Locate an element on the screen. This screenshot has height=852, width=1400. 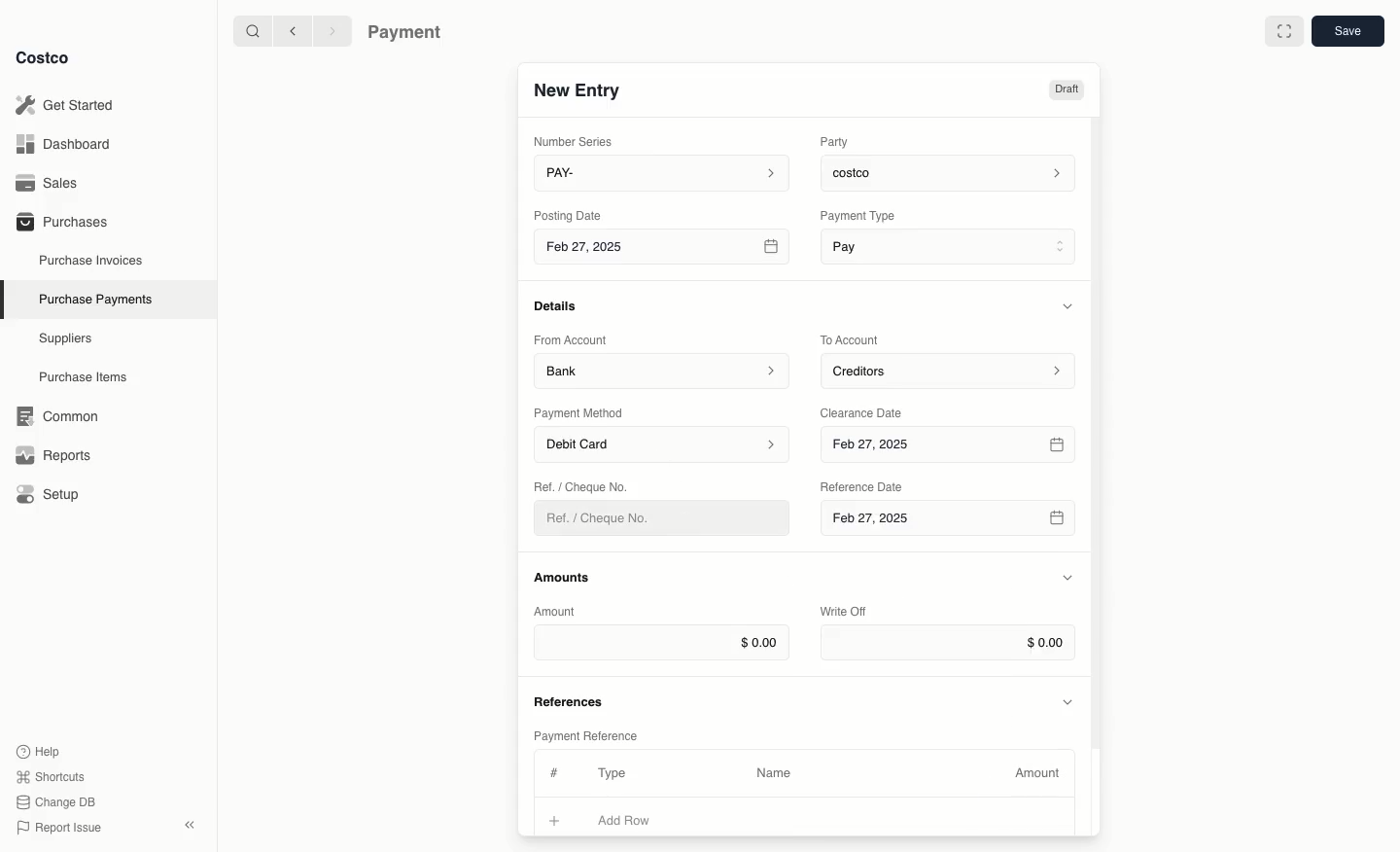
$0.00 is located at coordinates (661, 642).